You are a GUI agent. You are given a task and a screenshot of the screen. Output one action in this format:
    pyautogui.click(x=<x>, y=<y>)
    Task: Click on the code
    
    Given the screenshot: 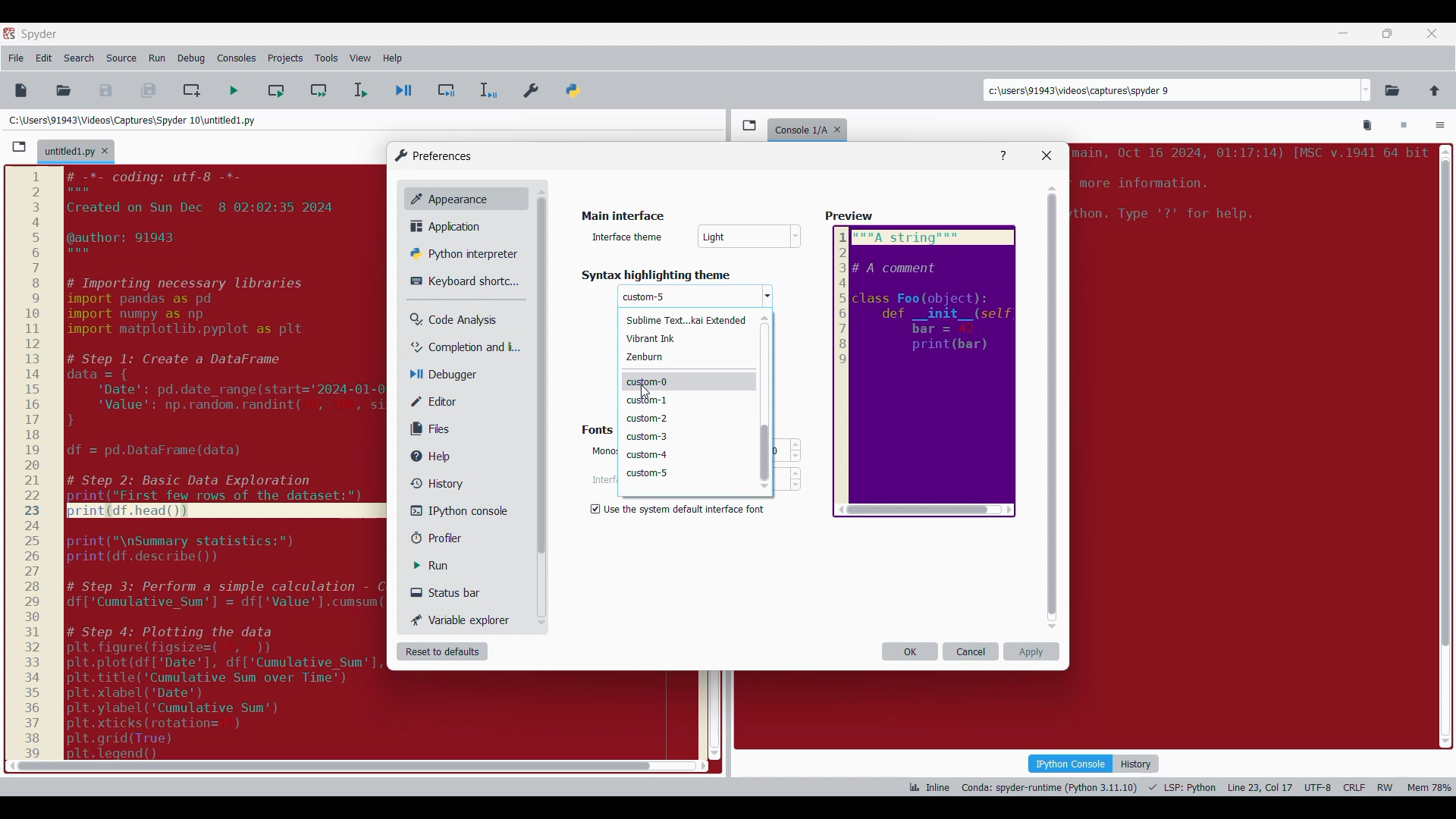 What is the action you would take?
    pyautogui.click(x=1247, y=188)
    